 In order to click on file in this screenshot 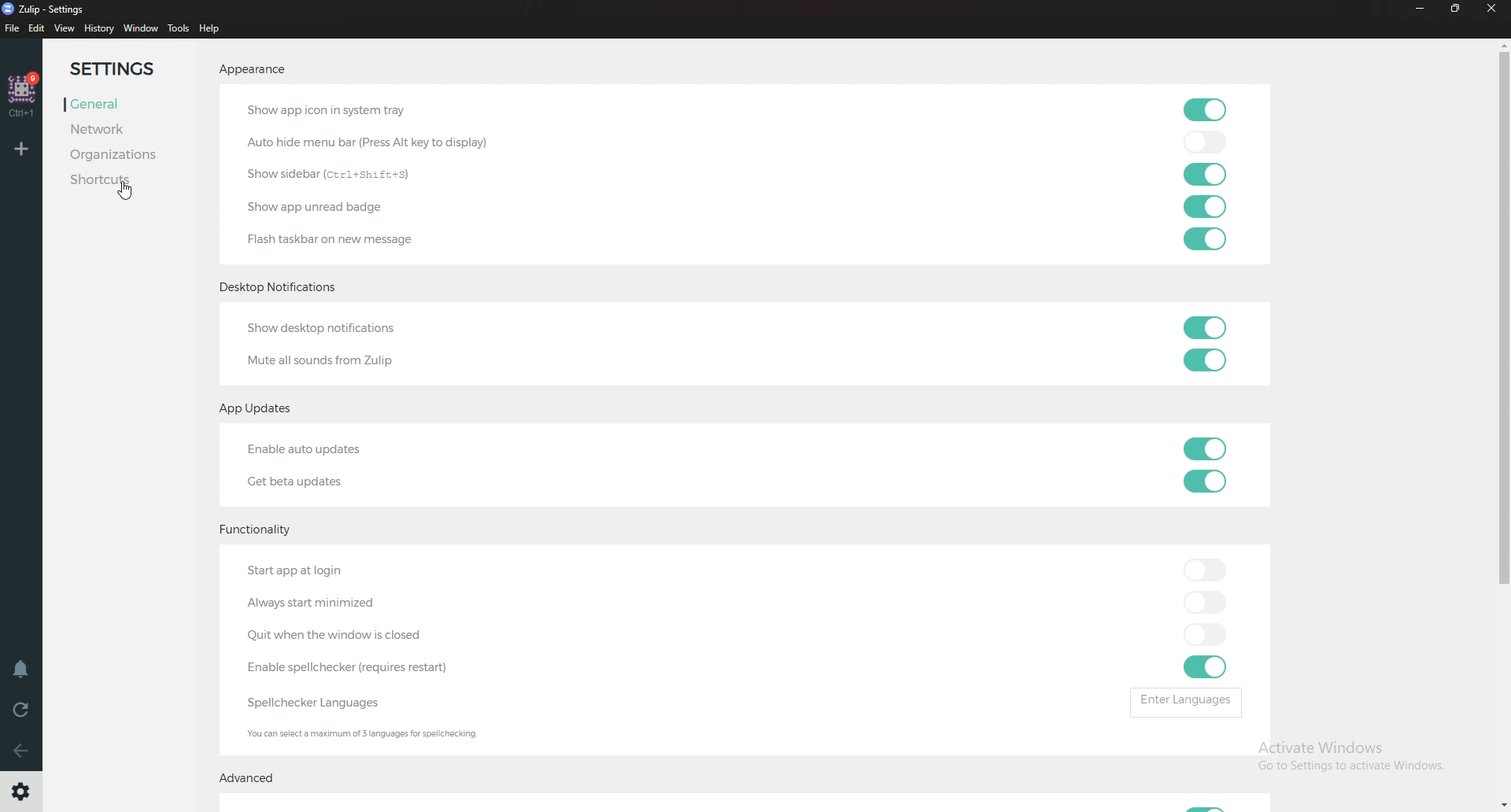, I will do `click(13, 30)`.